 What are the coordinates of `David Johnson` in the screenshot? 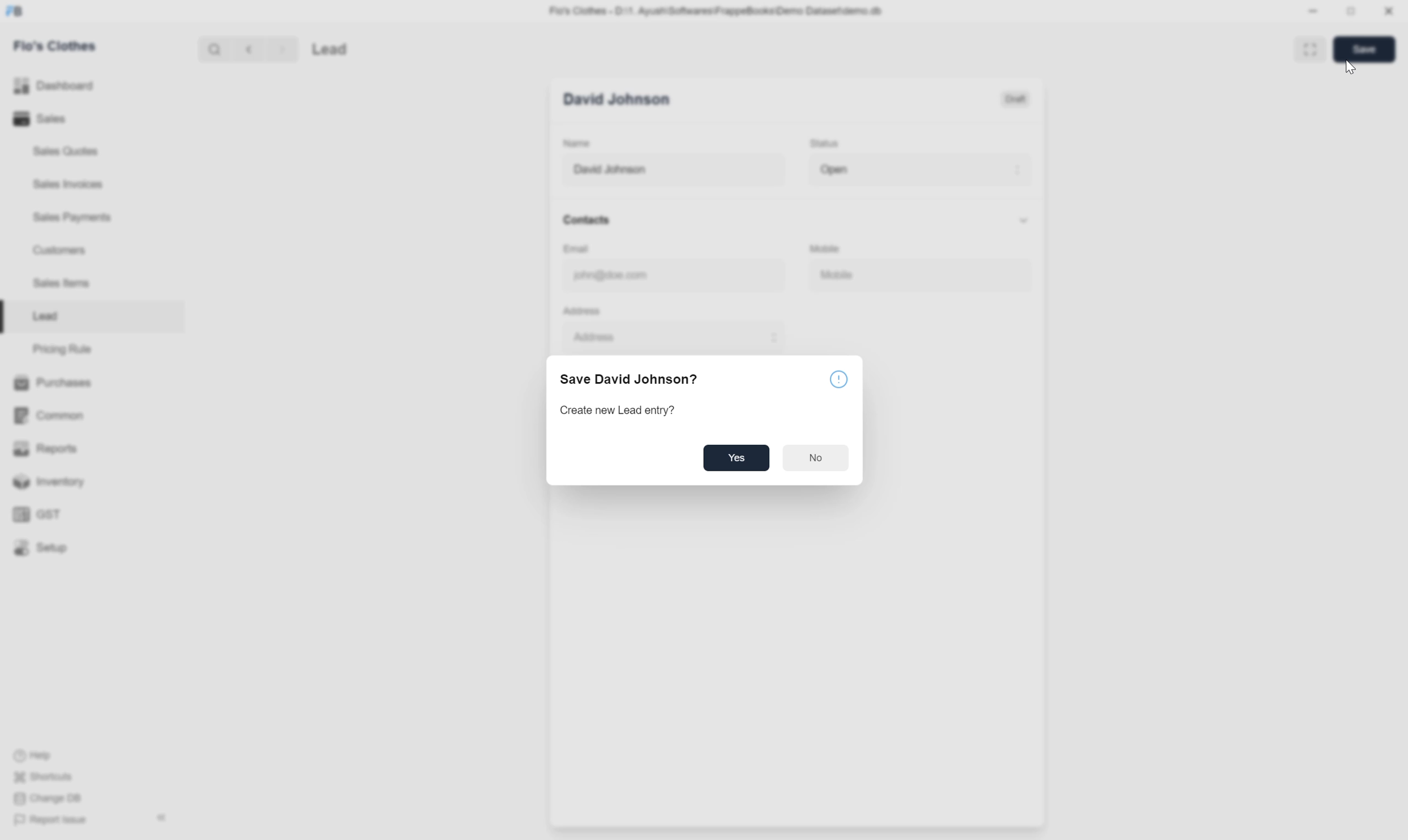 It's located at (671, 170).